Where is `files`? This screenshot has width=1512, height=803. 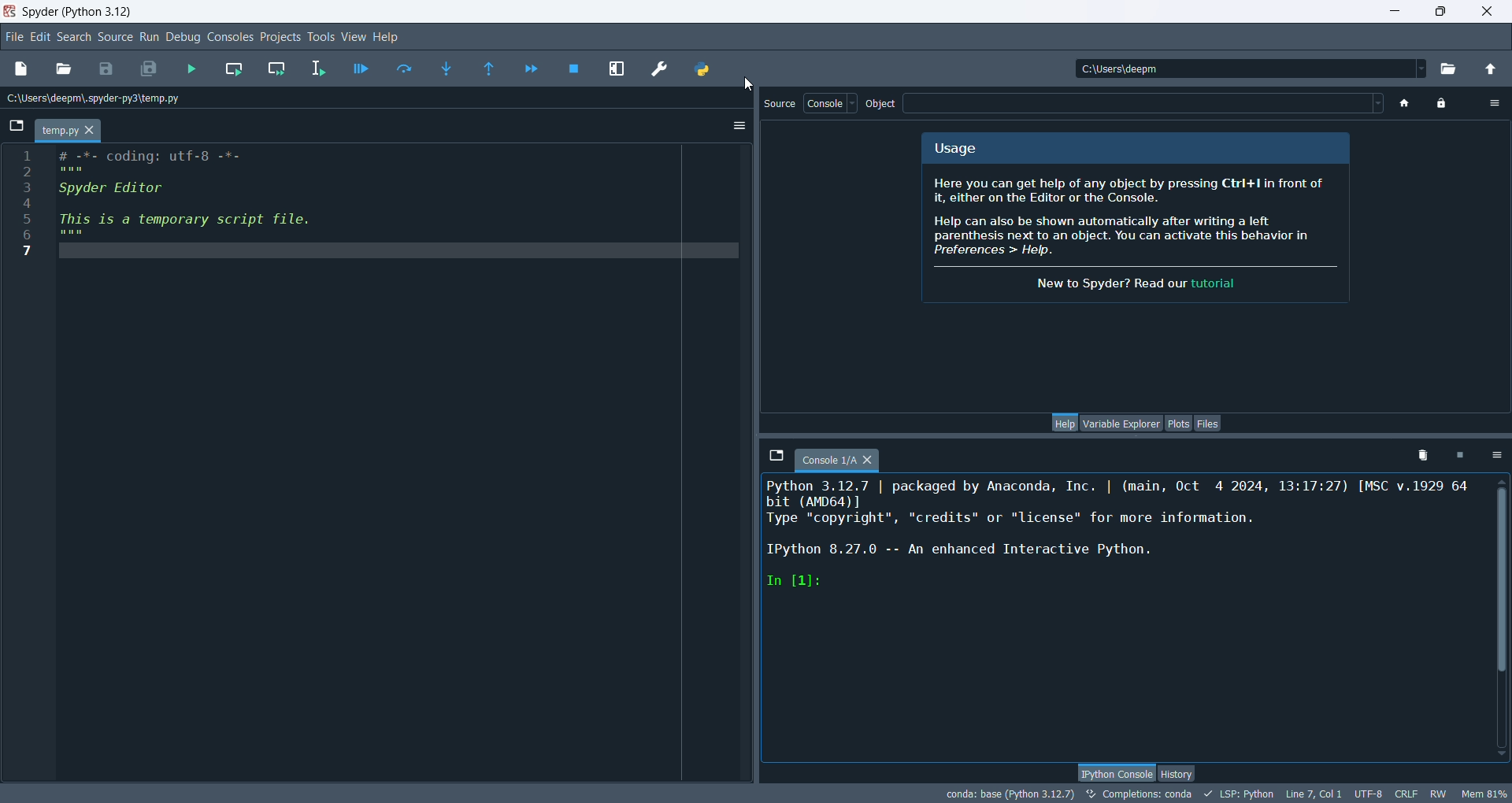
files is located at coordinates (1208, 423).